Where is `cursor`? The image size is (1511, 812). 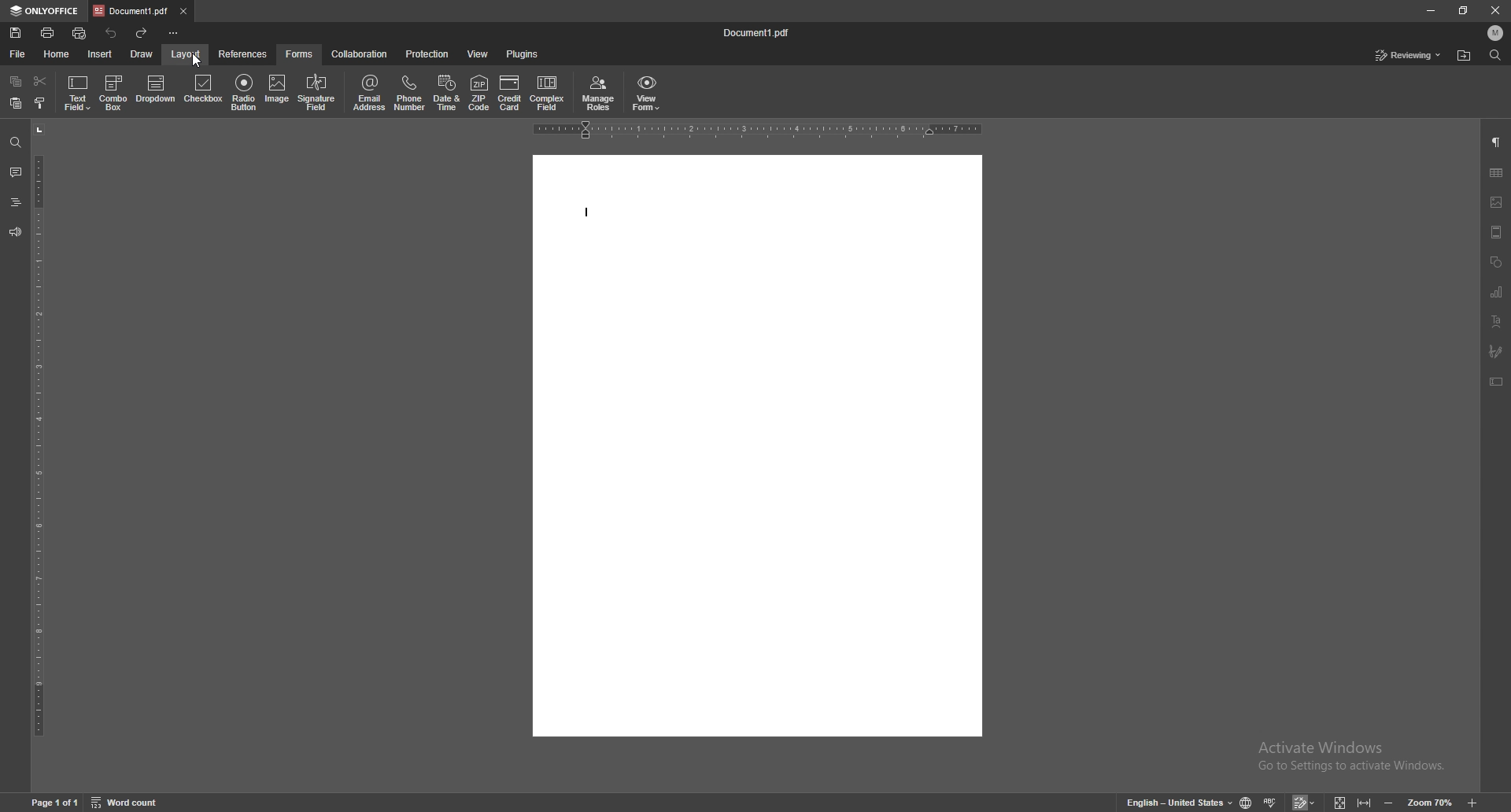
cursor is located at coordinates (201, 65).